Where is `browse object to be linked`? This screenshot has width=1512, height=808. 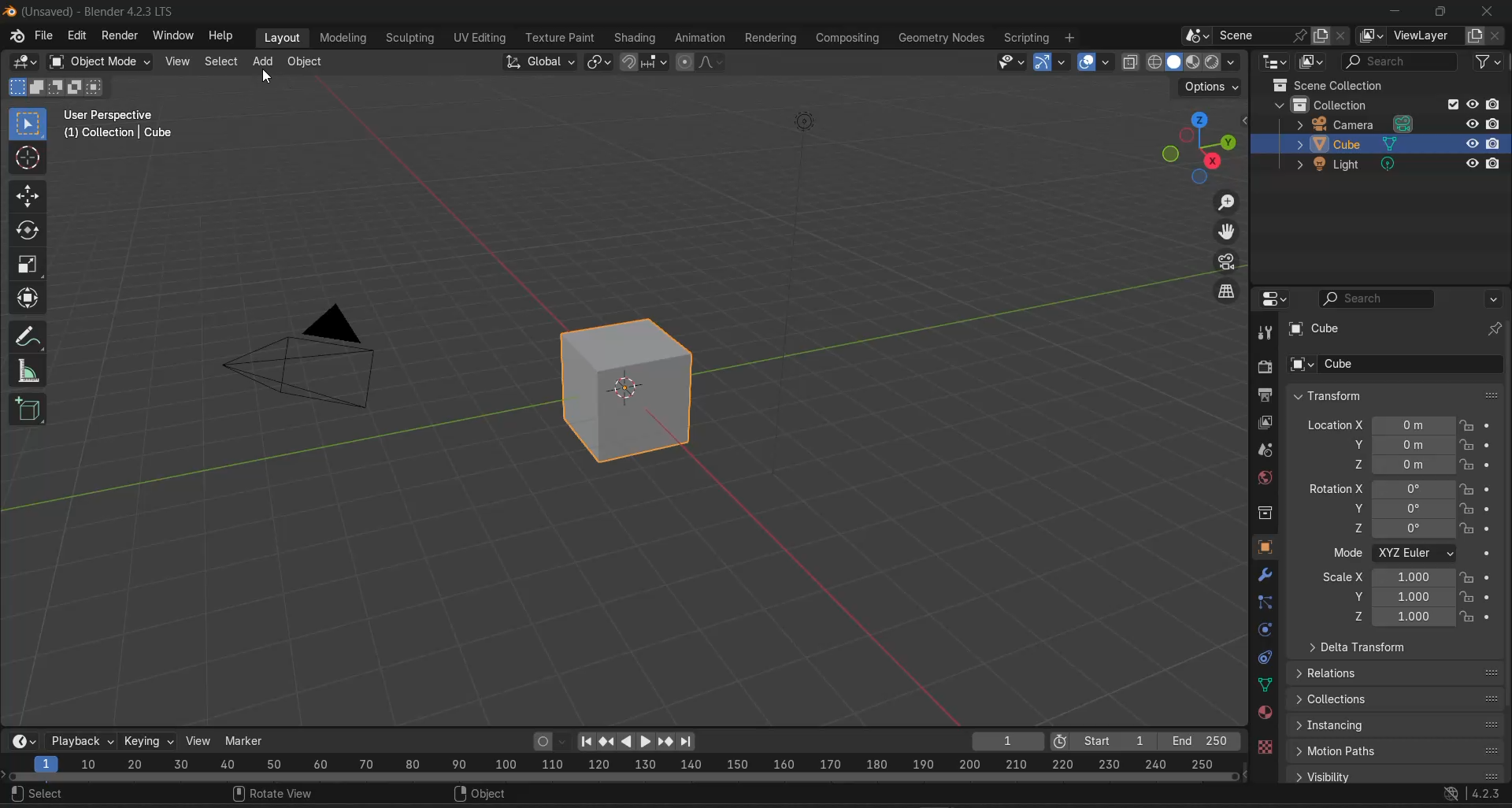 browse object to be linked is located at coordinates (1302, 365).